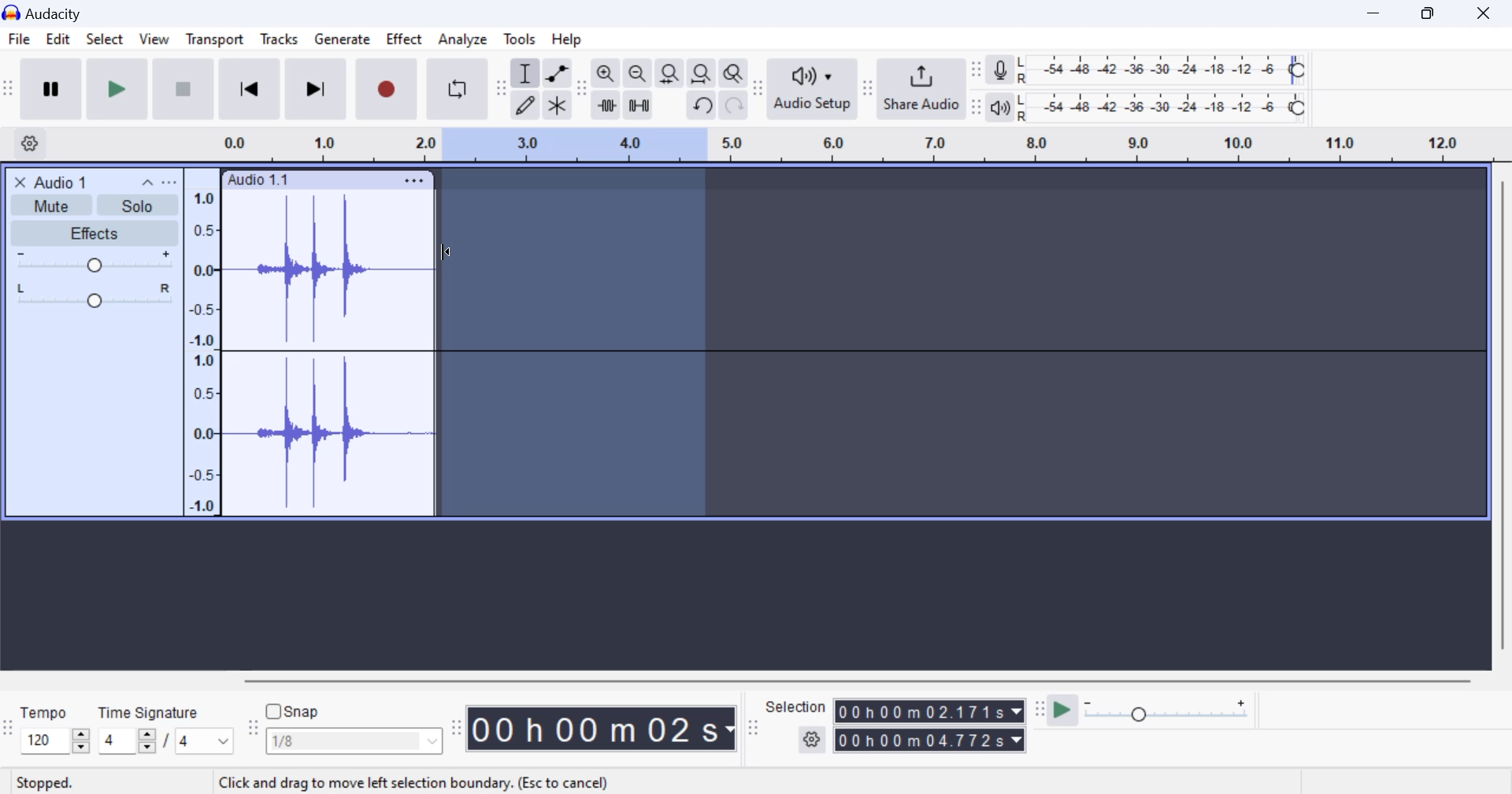  I want to click on Audio Clip, so click(327, 354).